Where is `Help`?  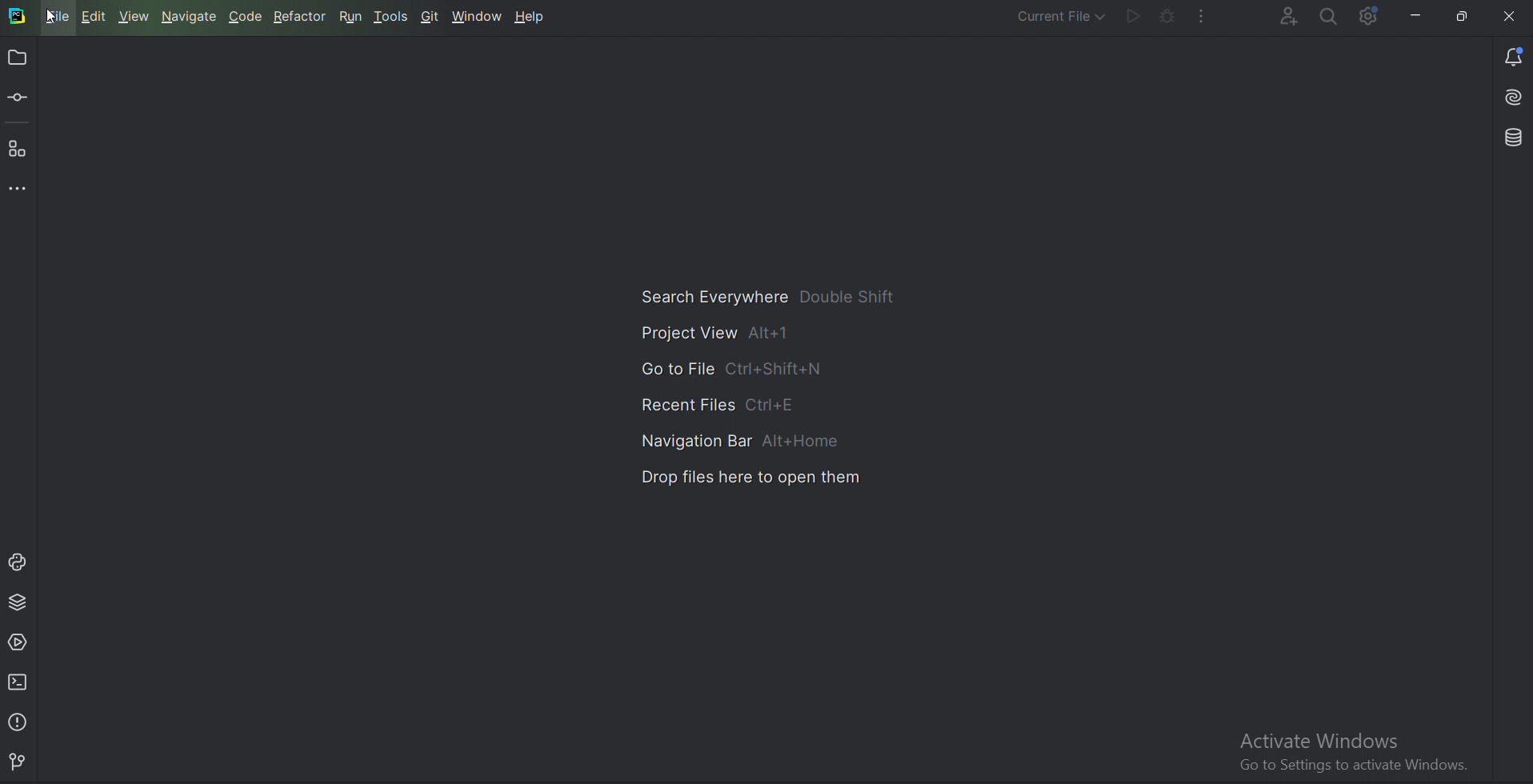
Help is located at coordinates (533, 18).